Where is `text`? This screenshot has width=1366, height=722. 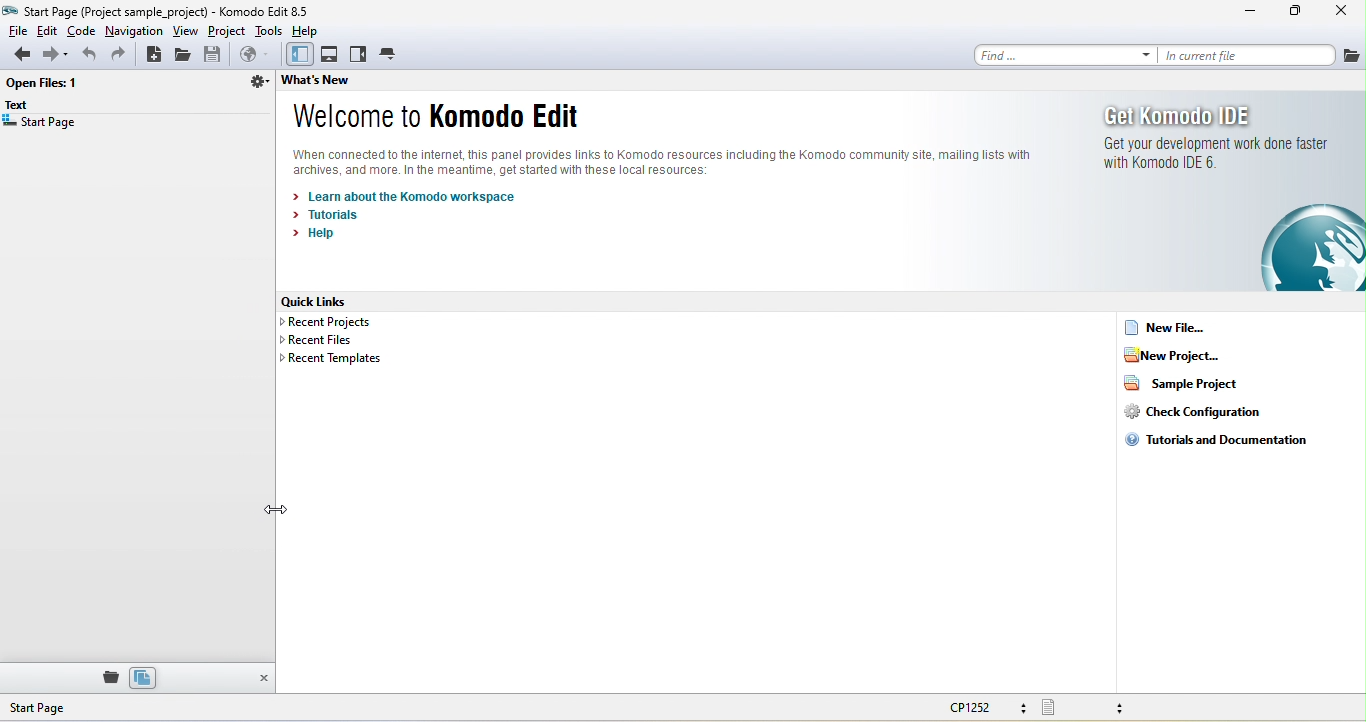 text is located at coordinates (23, 106).